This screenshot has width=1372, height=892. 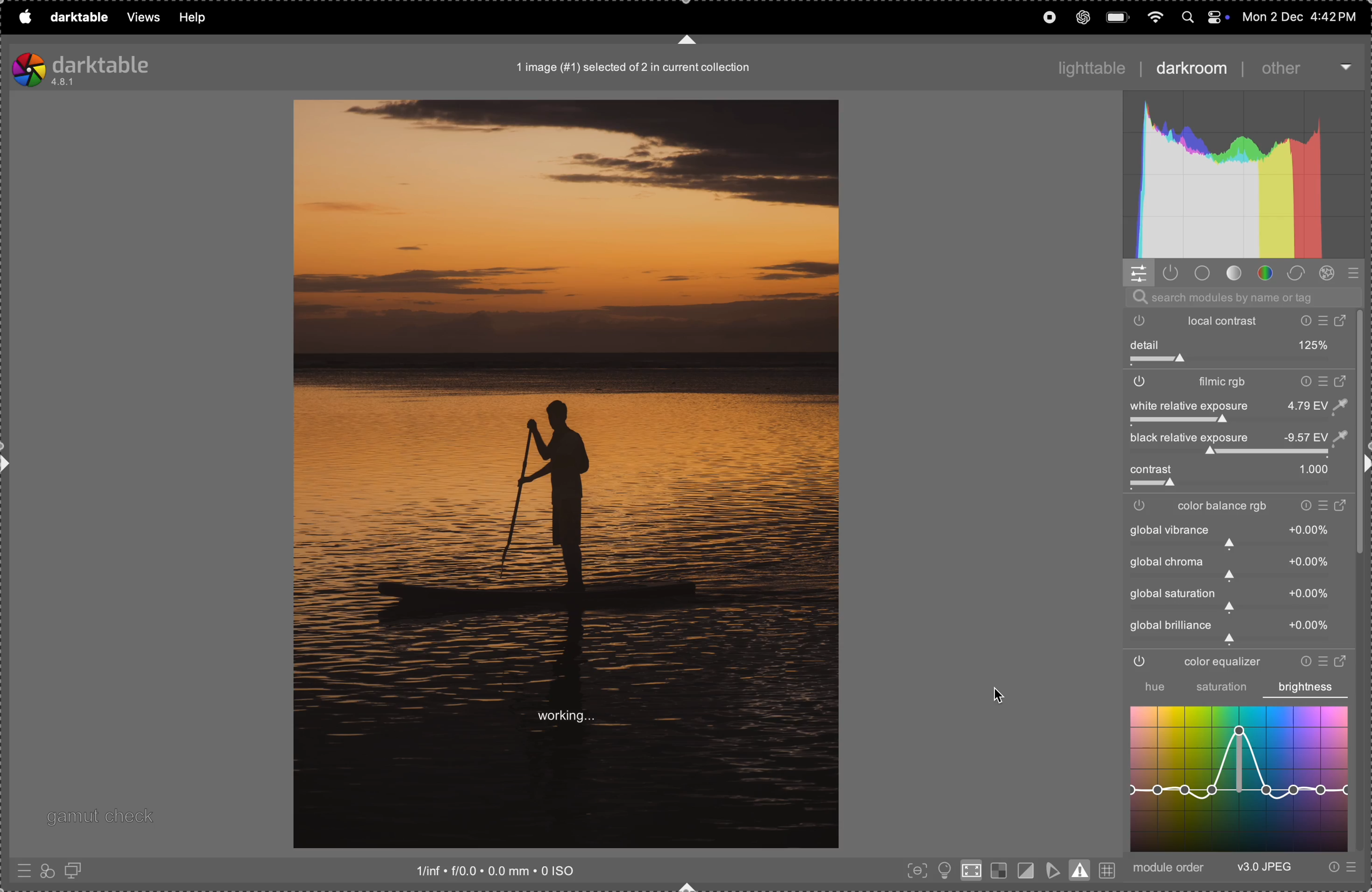 I want to click on darktable version, so click(x=109, y=67).